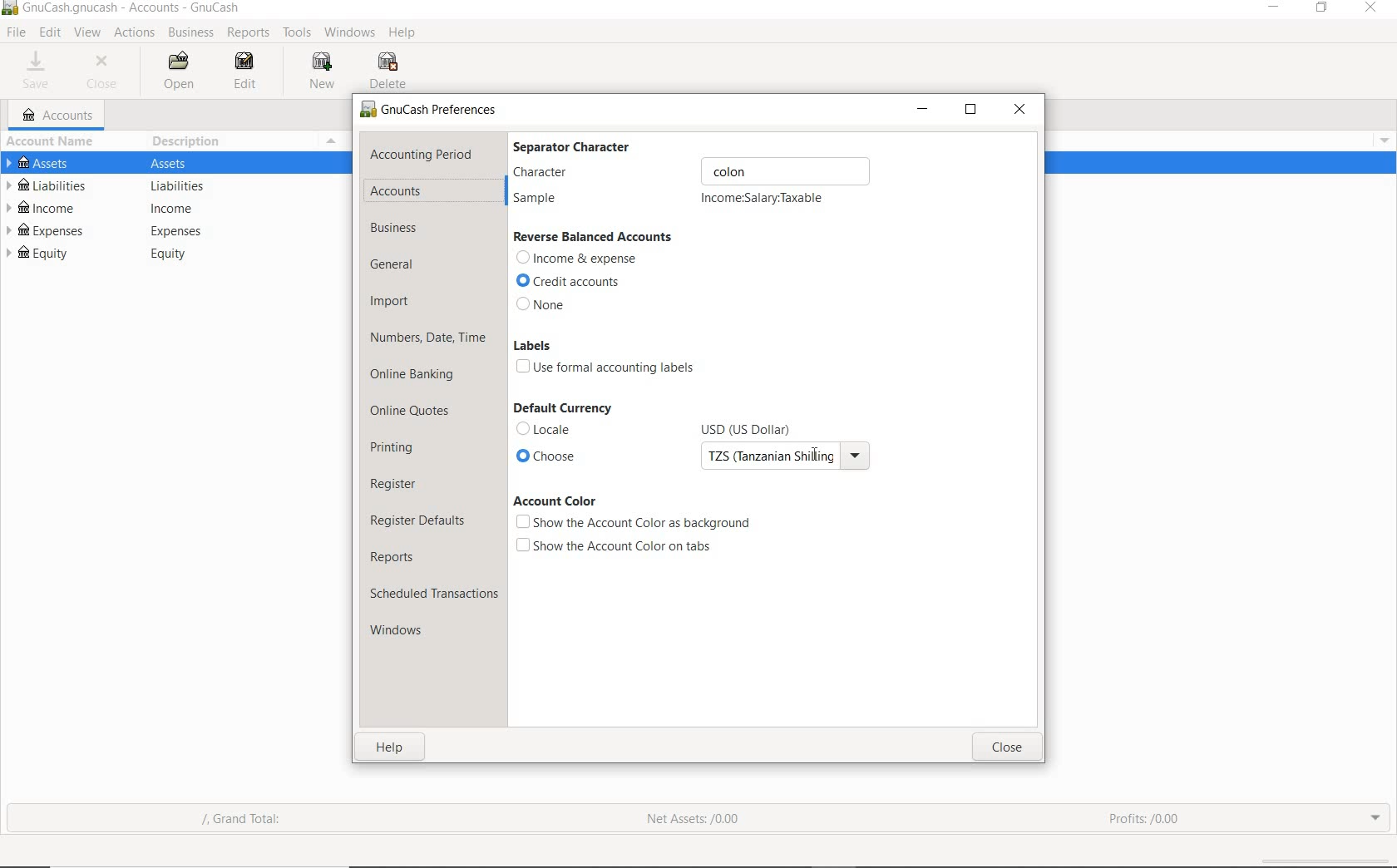  Describe the element at coordinates (690, 818) in the screenshot. I see `net assets` at that location.